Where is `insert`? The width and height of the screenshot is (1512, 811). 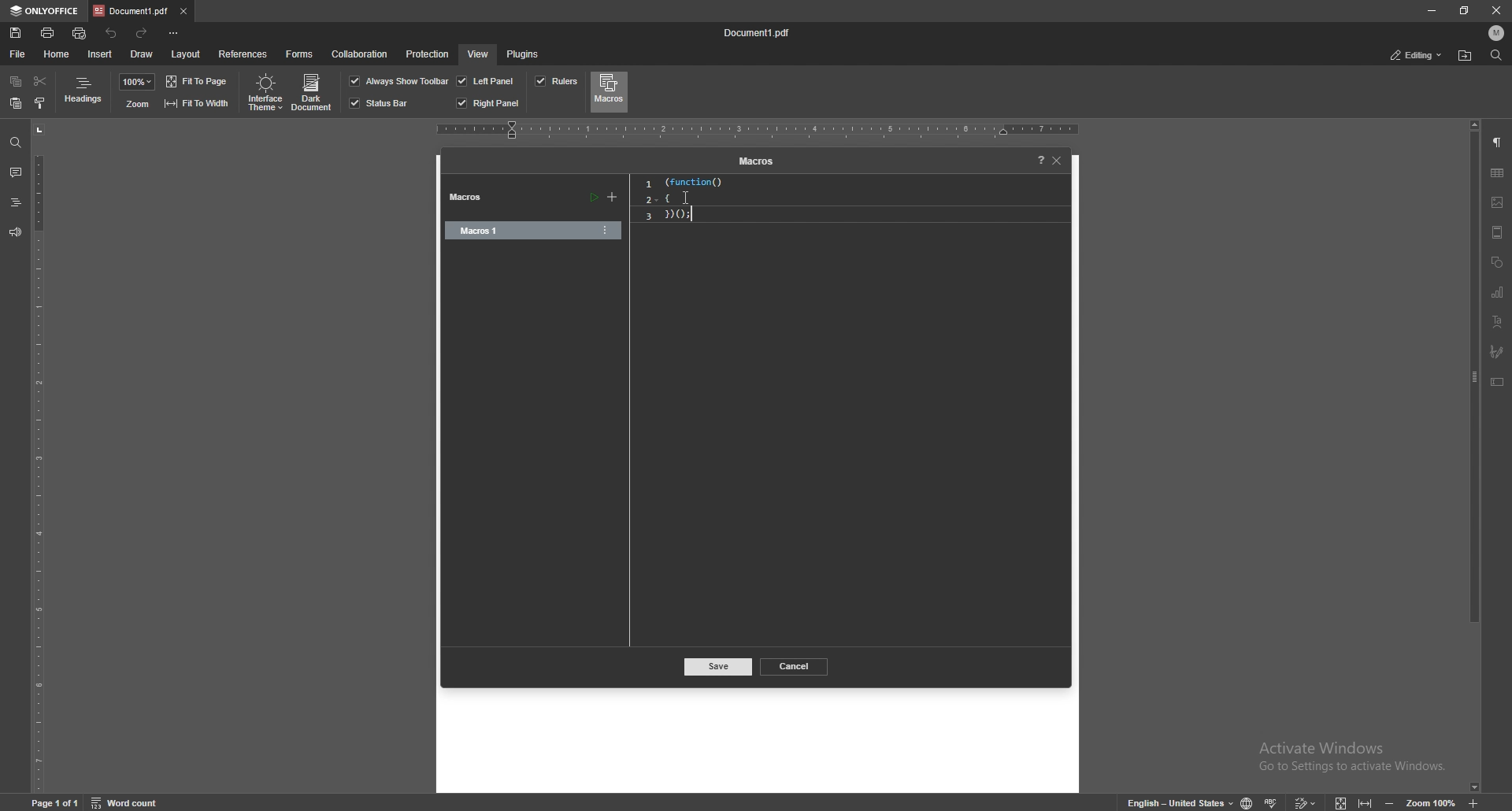 insert is located at coordinates (100, 54).